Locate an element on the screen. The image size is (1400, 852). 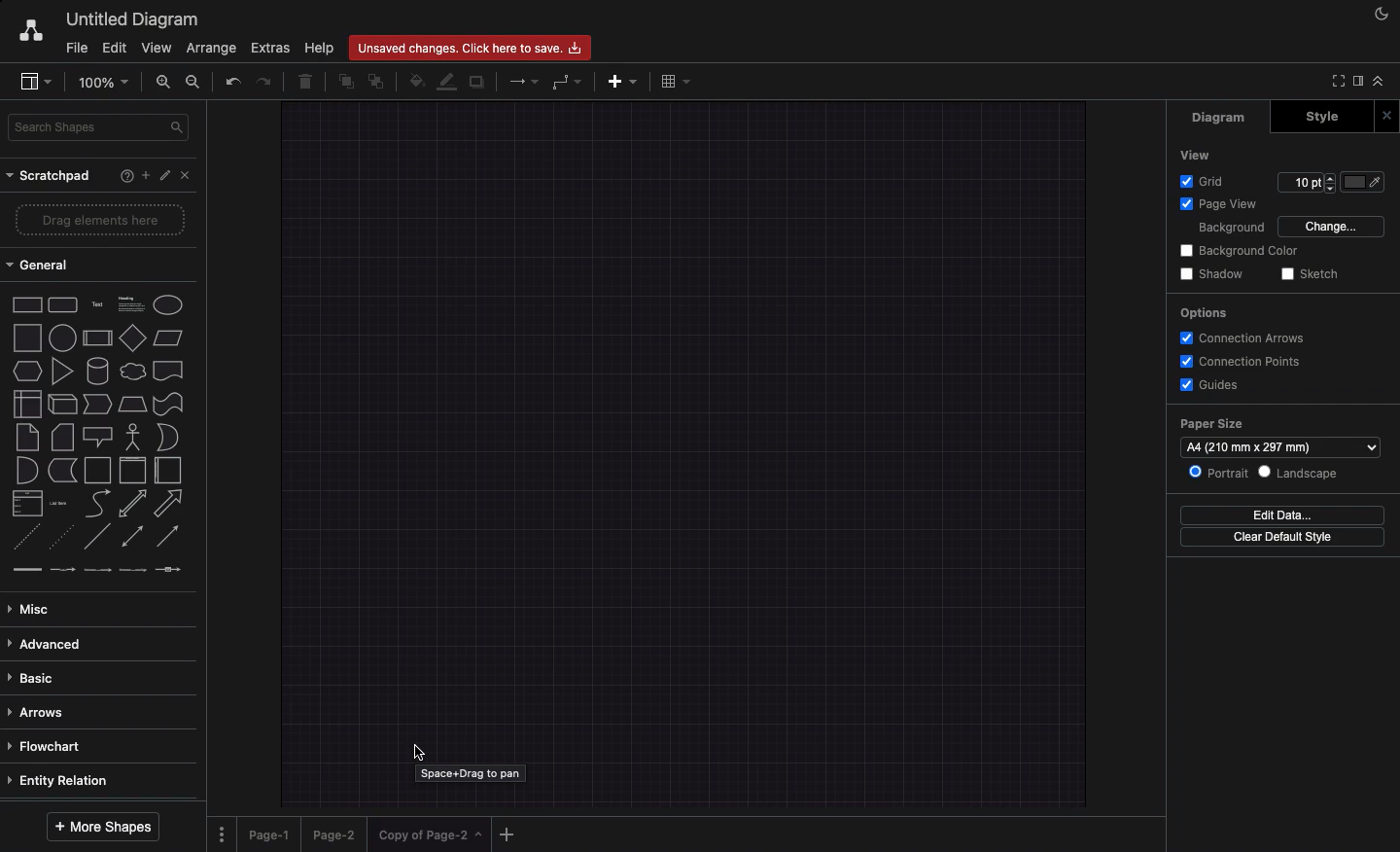
Connection points is located at coordinates (1244, 360).